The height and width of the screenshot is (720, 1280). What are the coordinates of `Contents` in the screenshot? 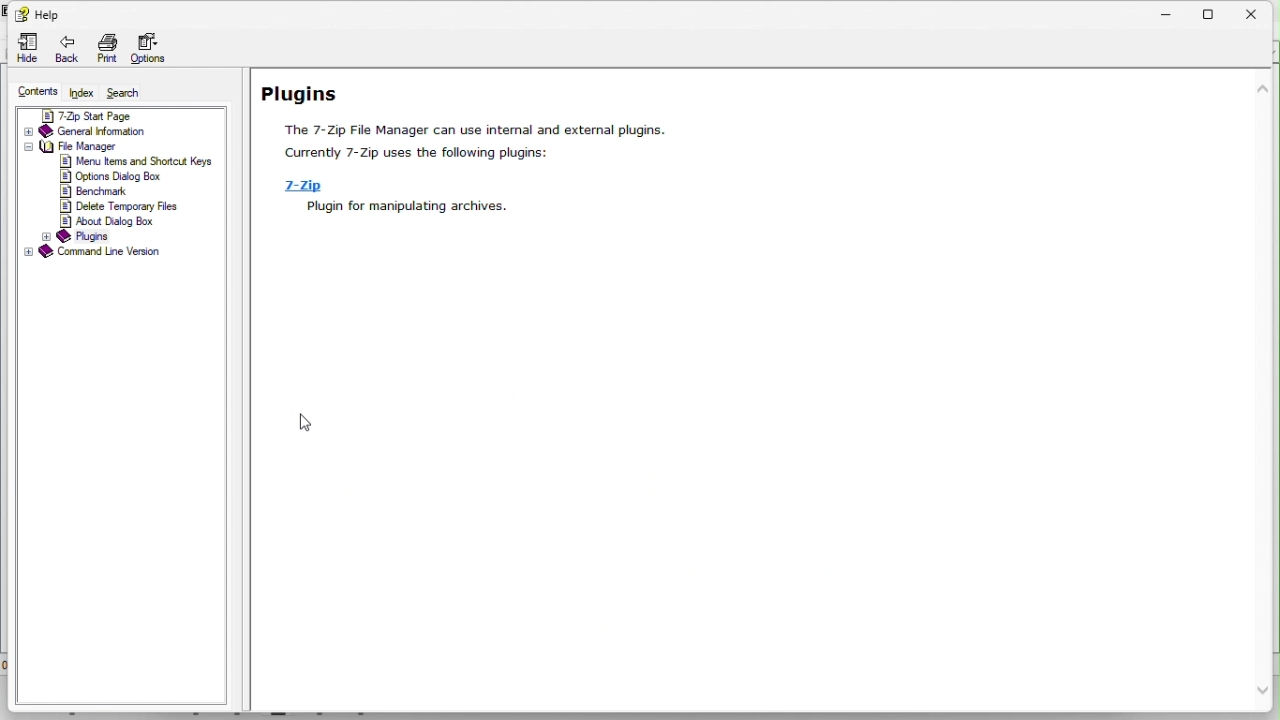 It's located at (31, 93).